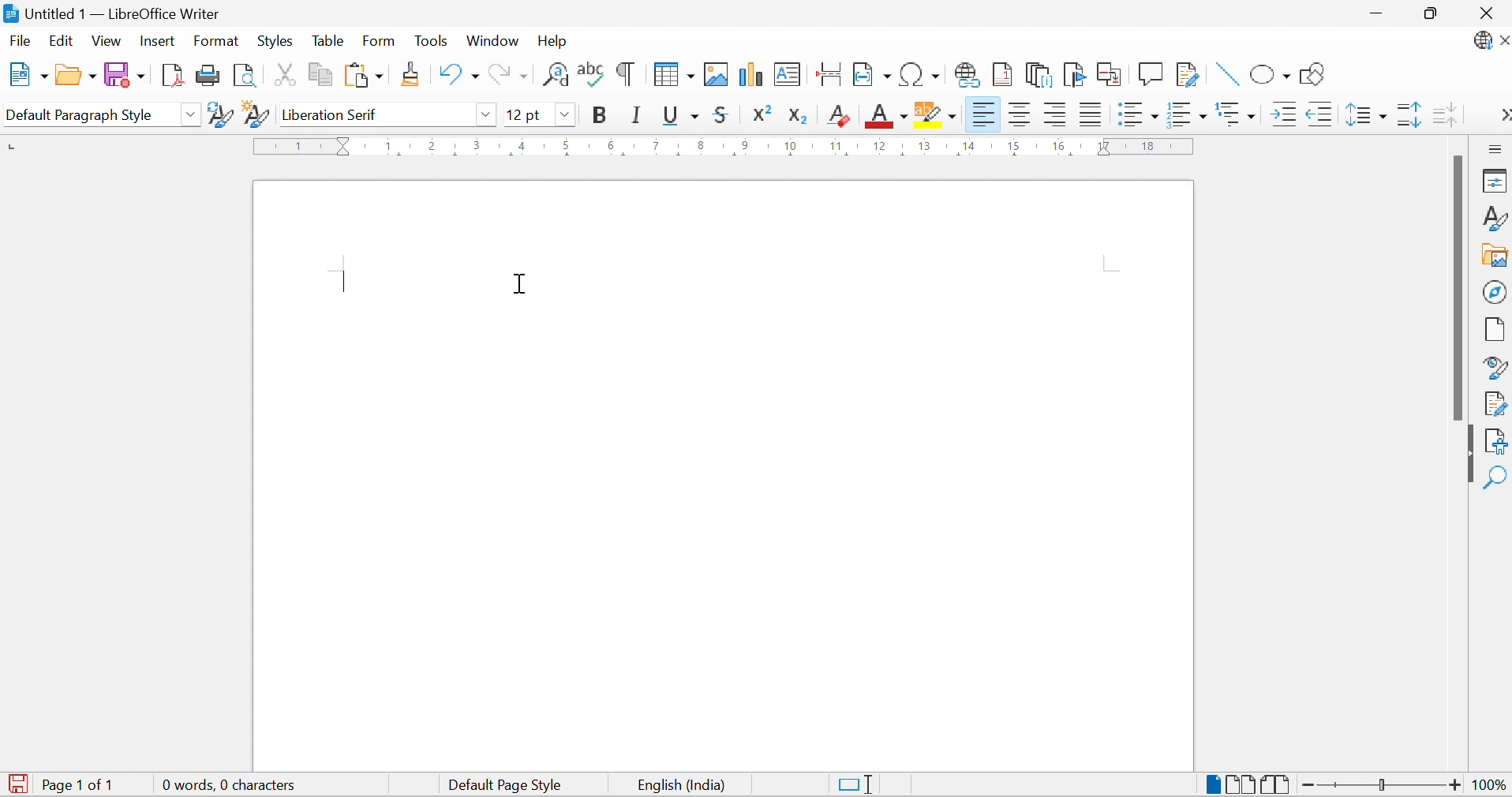 This screenshot has height=797, width=1512. What do you see at coordinates (887, 114) in the screenshot?
I see `Font Color` at bounding box center [887, 114].